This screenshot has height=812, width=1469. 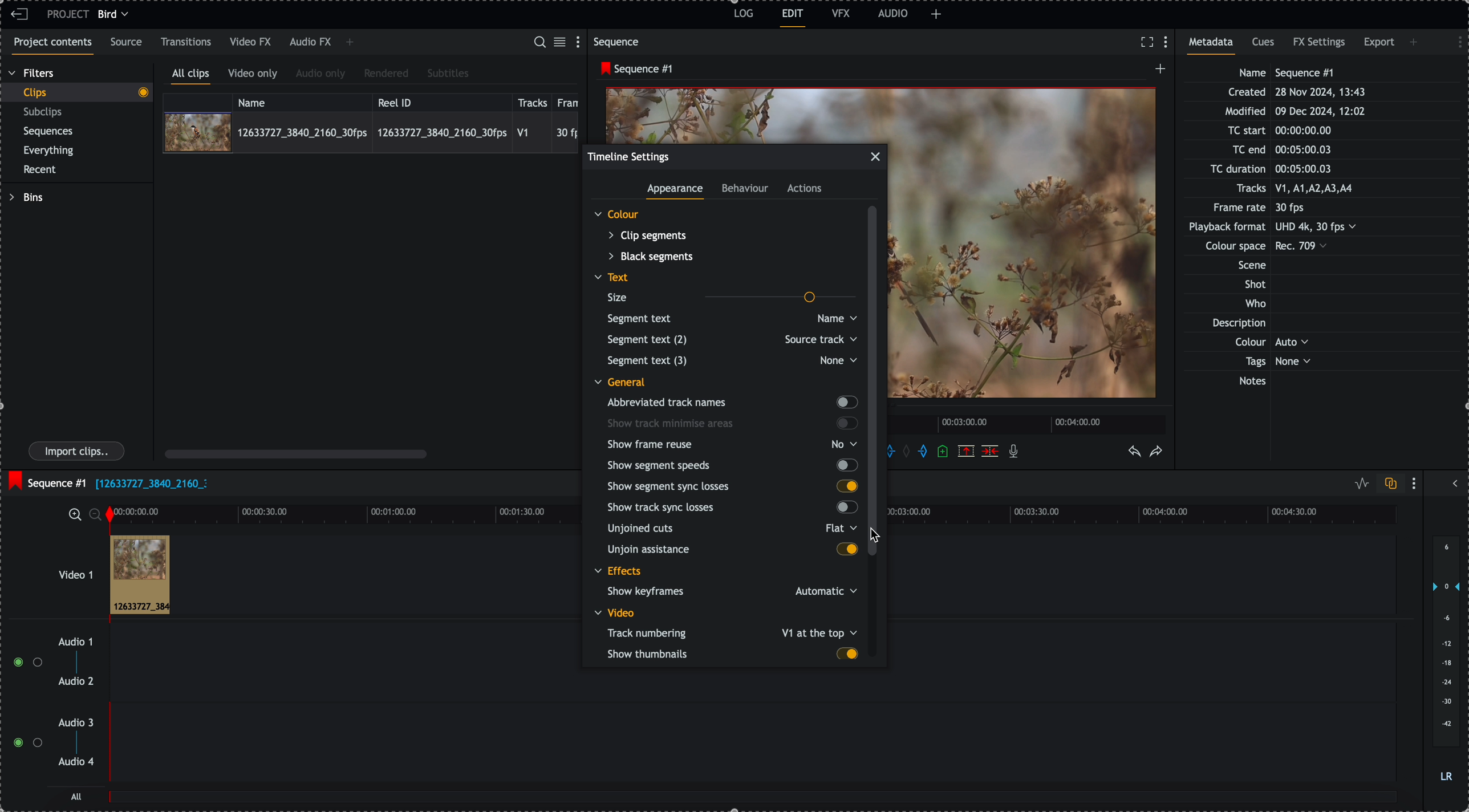 What do you see at coordinates (1029, 423) in the screenshot?
I see `timeline` at bounding box center [1029, 423].